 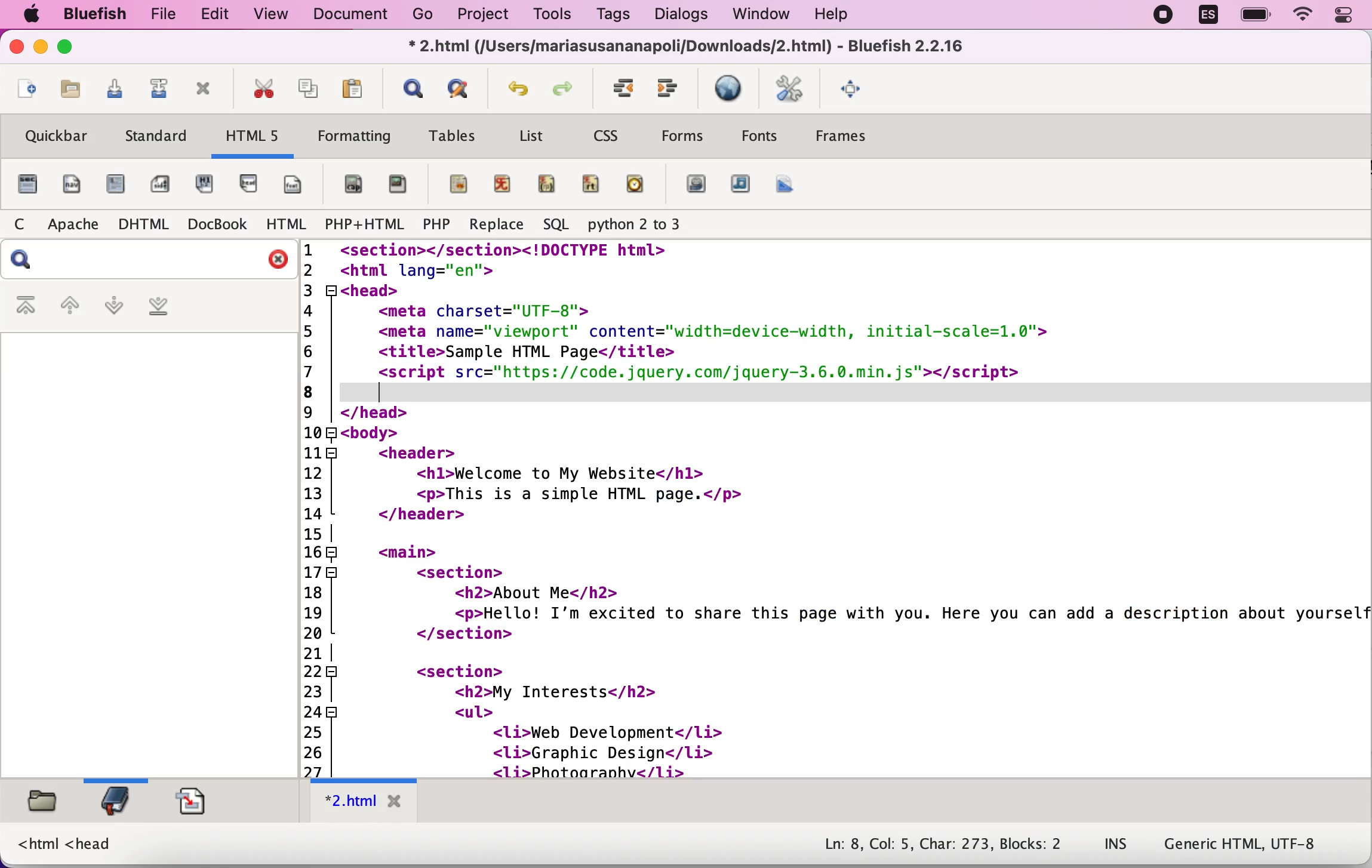 What do you see at coordinates (371, 391) in the screenshot?
I see `cursor at new line` at bounding box center [371, 391].